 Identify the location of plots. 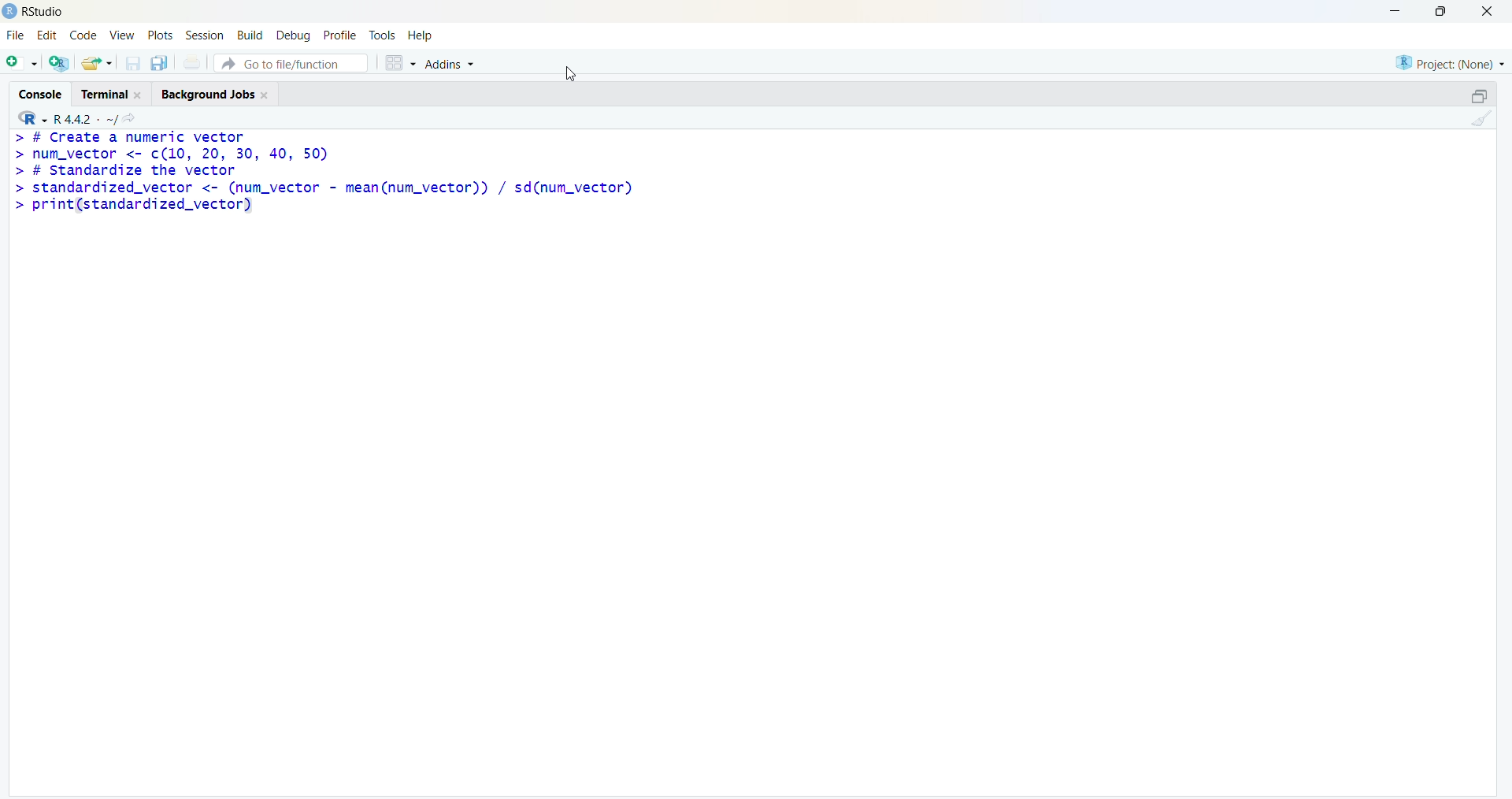
(159, 35).